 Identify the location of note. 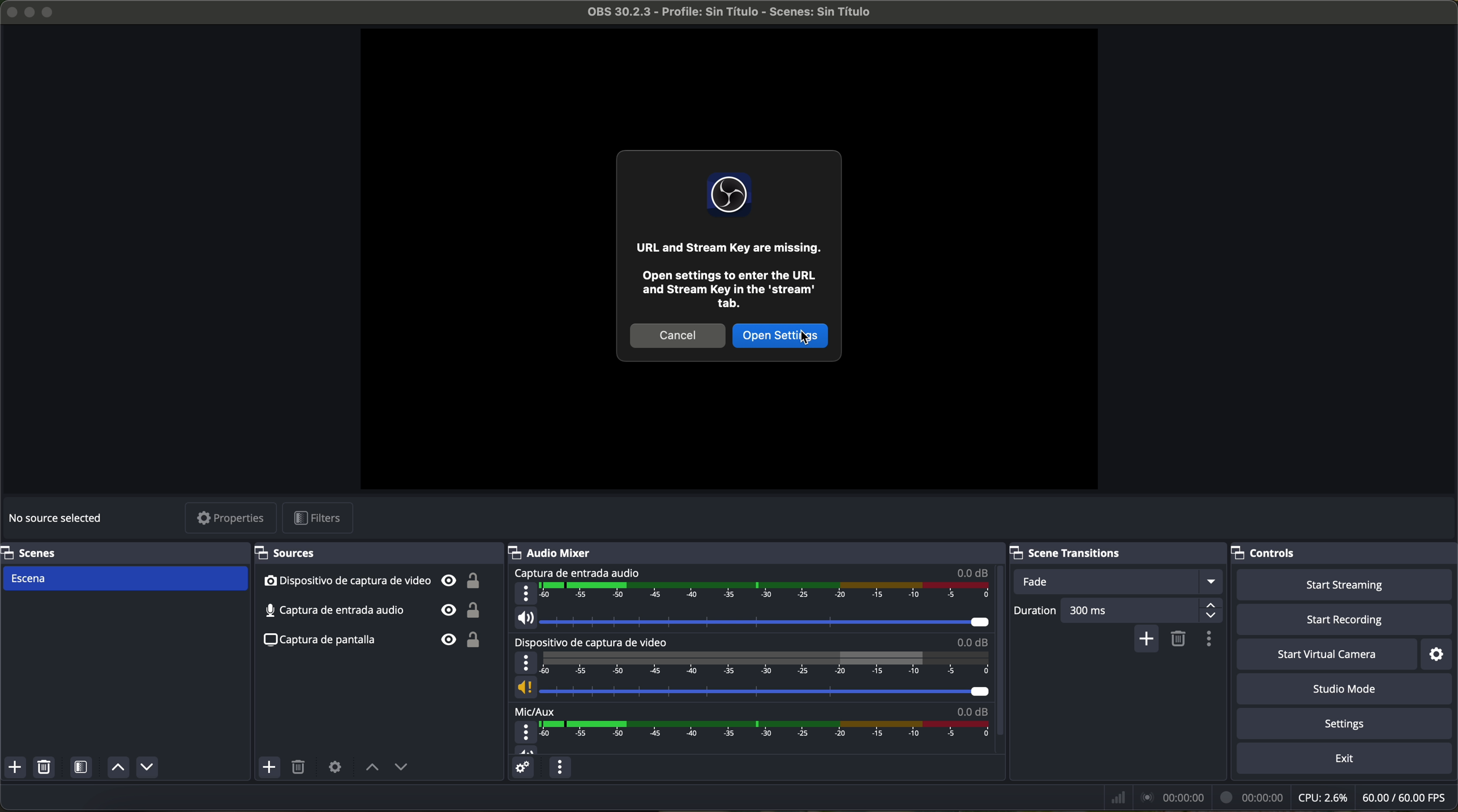
(731, 277).